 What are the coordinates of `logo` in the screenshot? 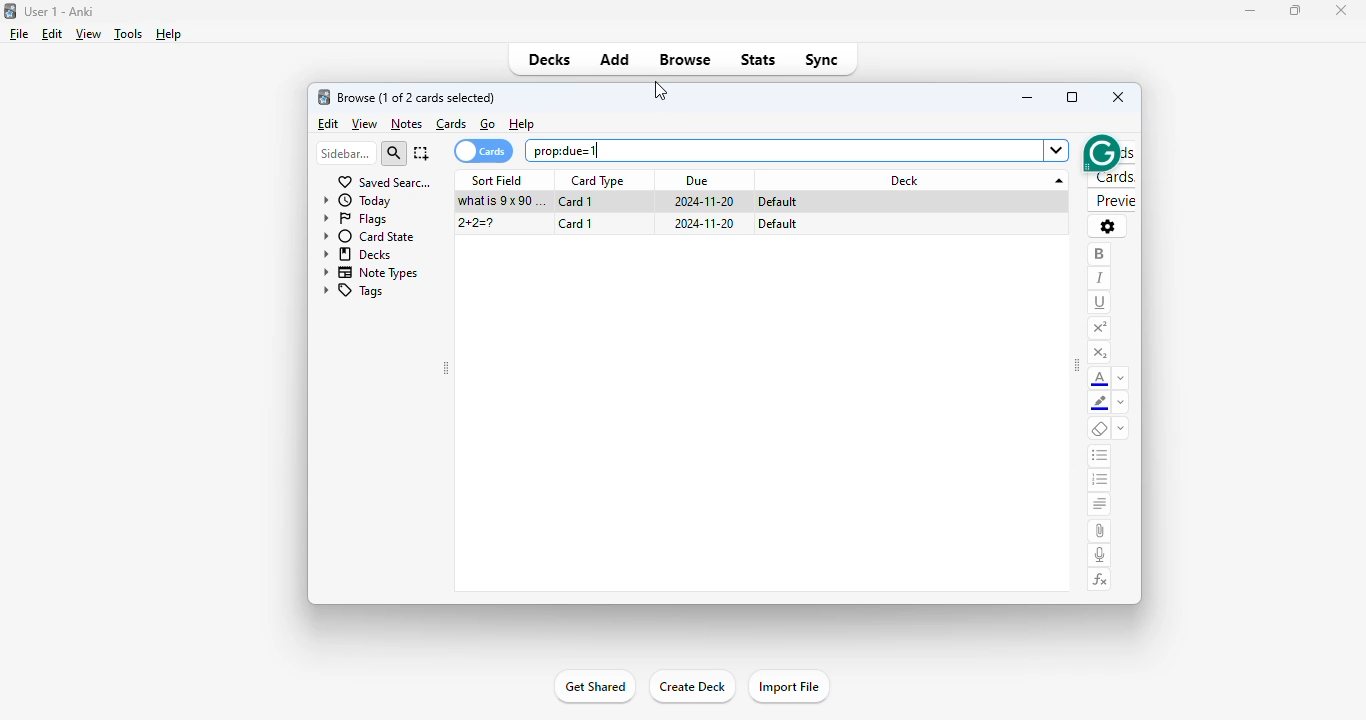 It's located at (11, 11).